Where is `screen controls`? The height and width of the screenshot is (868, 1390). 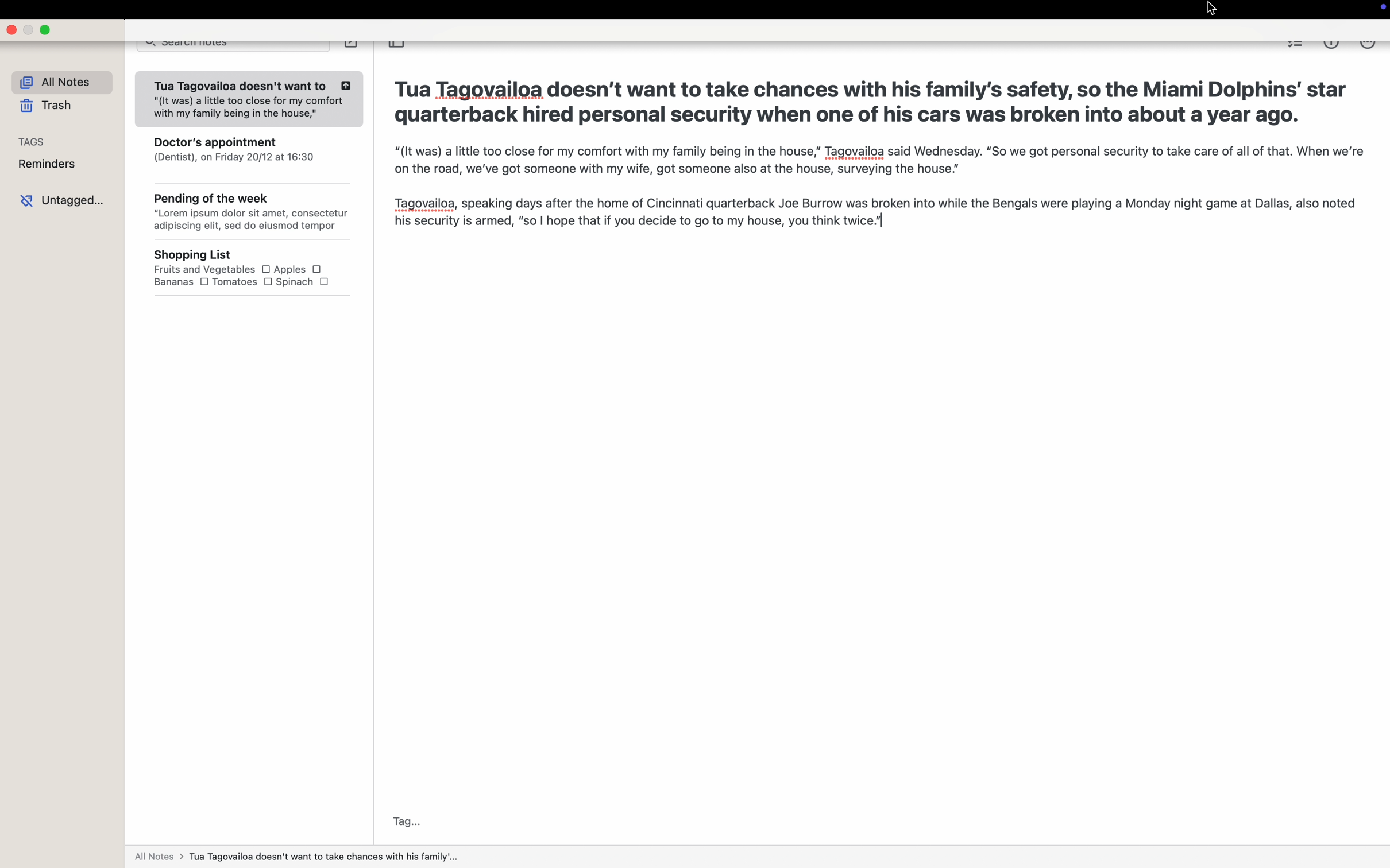 screen controls is located at coordinates (1380, 9).